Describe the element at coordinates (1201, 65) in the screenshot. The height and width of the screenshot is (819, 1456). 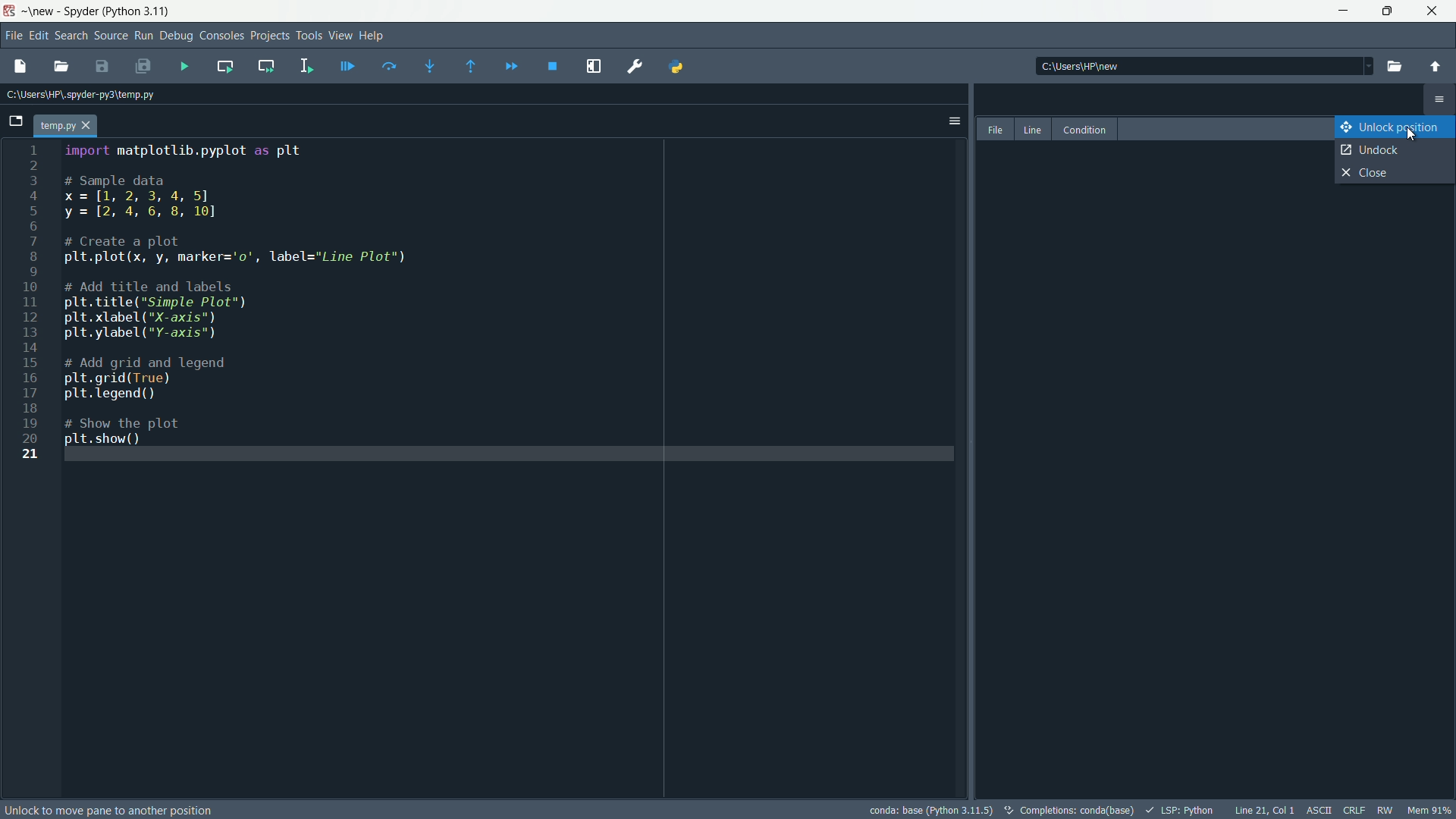
I see `directory` at that location.